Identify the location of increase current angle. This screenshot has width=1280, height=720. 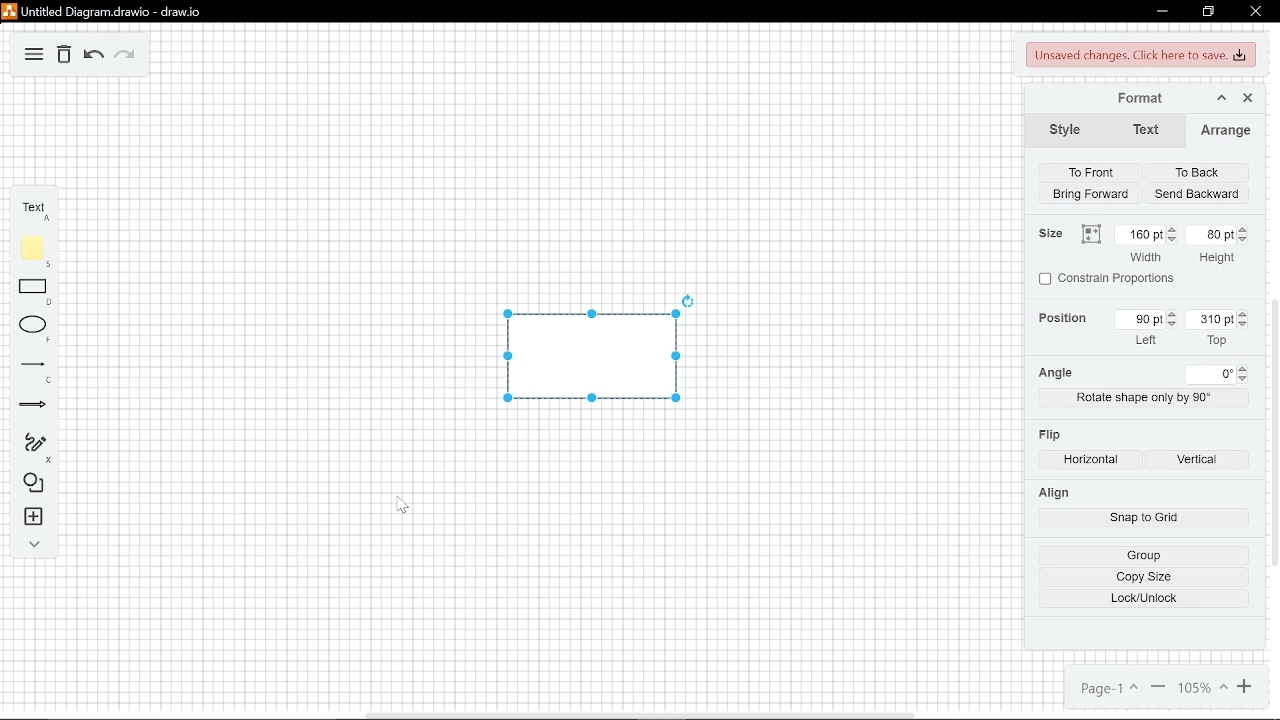
(1243, 368).